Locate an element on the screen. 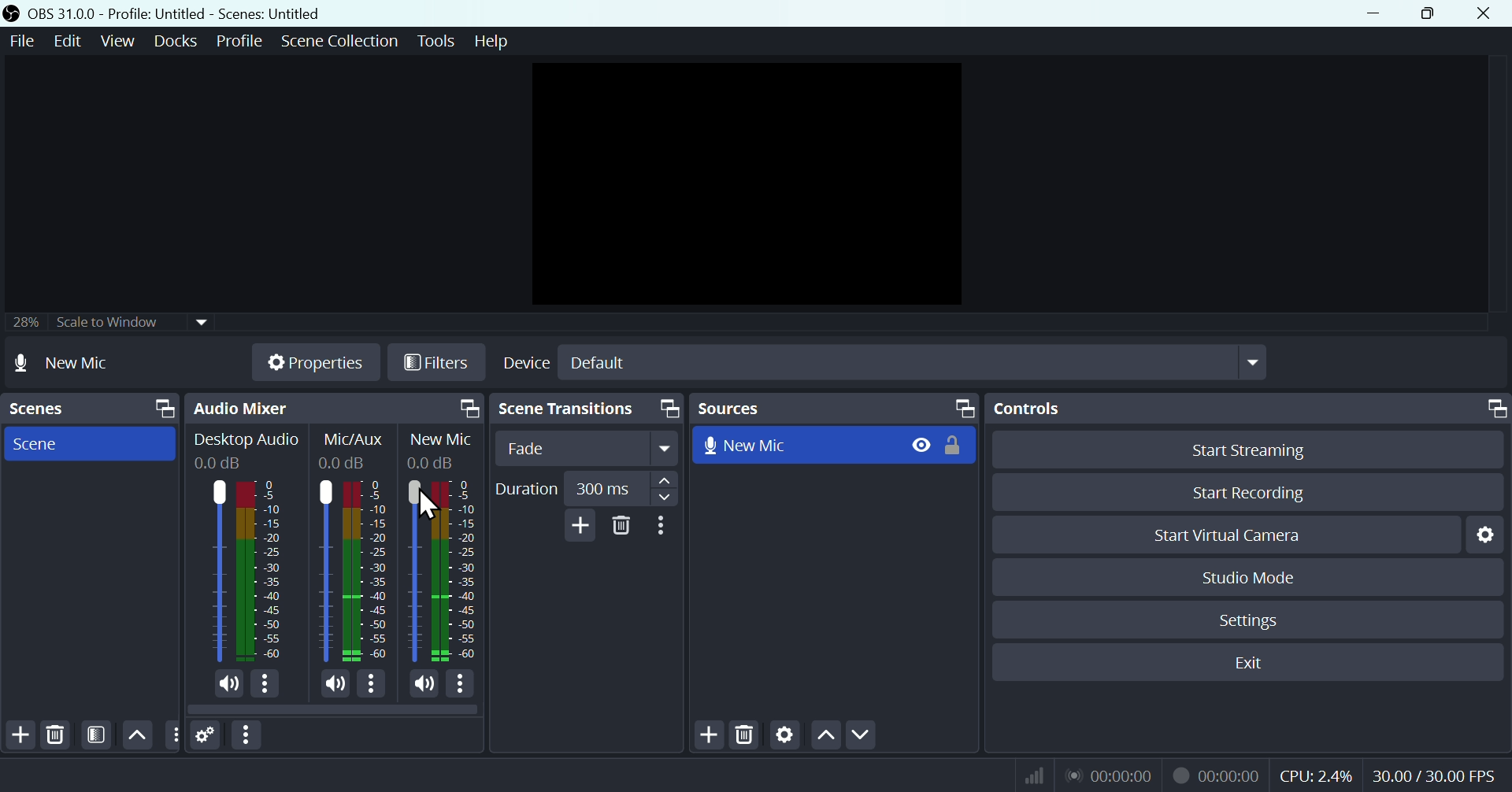 The height and width of the screenshot is (792, 1512). (un)mute is located at coordinates (422, 684).